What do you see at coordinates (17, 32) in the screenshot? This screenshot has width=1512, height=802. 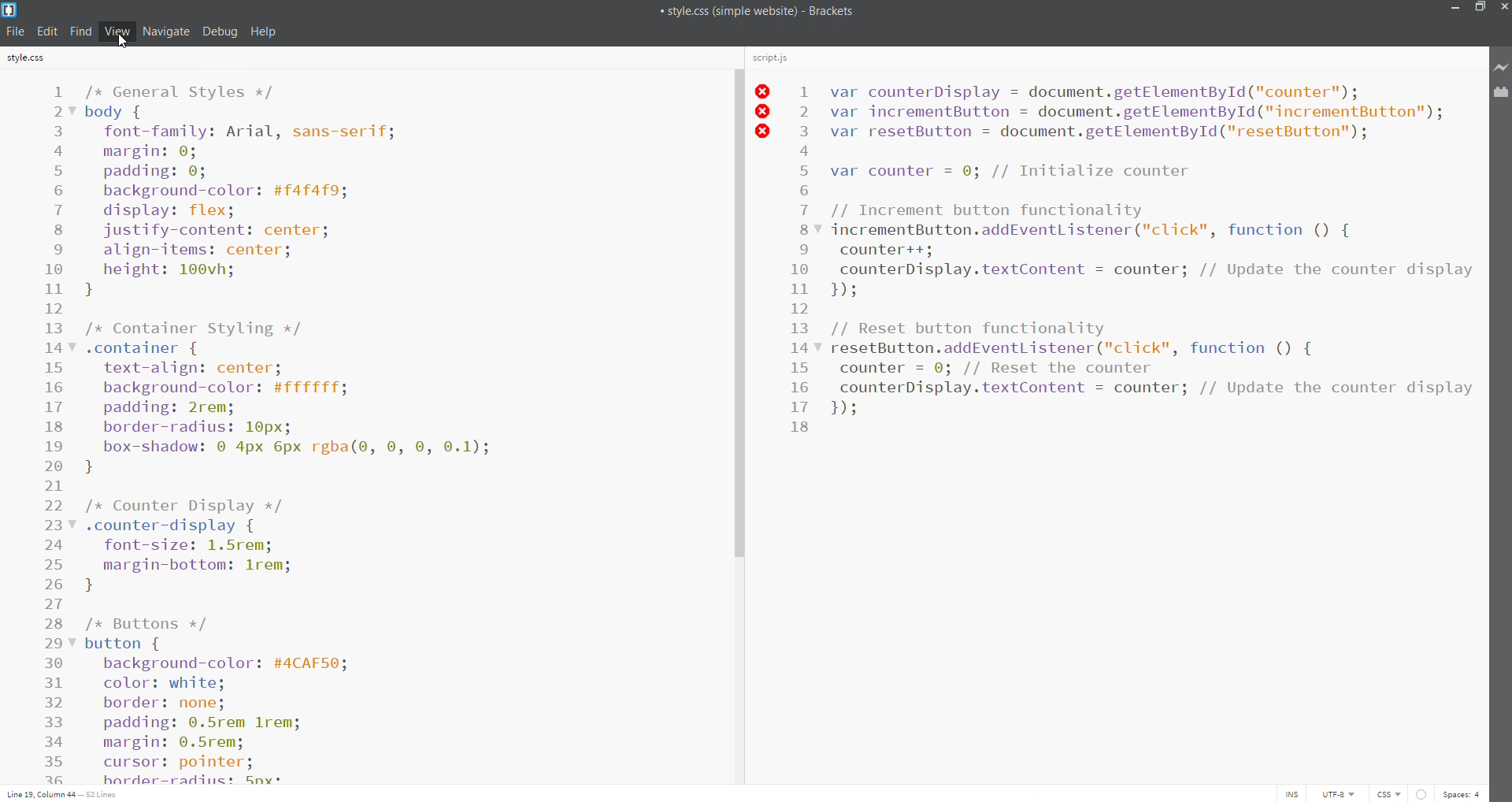 I see `file` at bounding box center [17, 32].